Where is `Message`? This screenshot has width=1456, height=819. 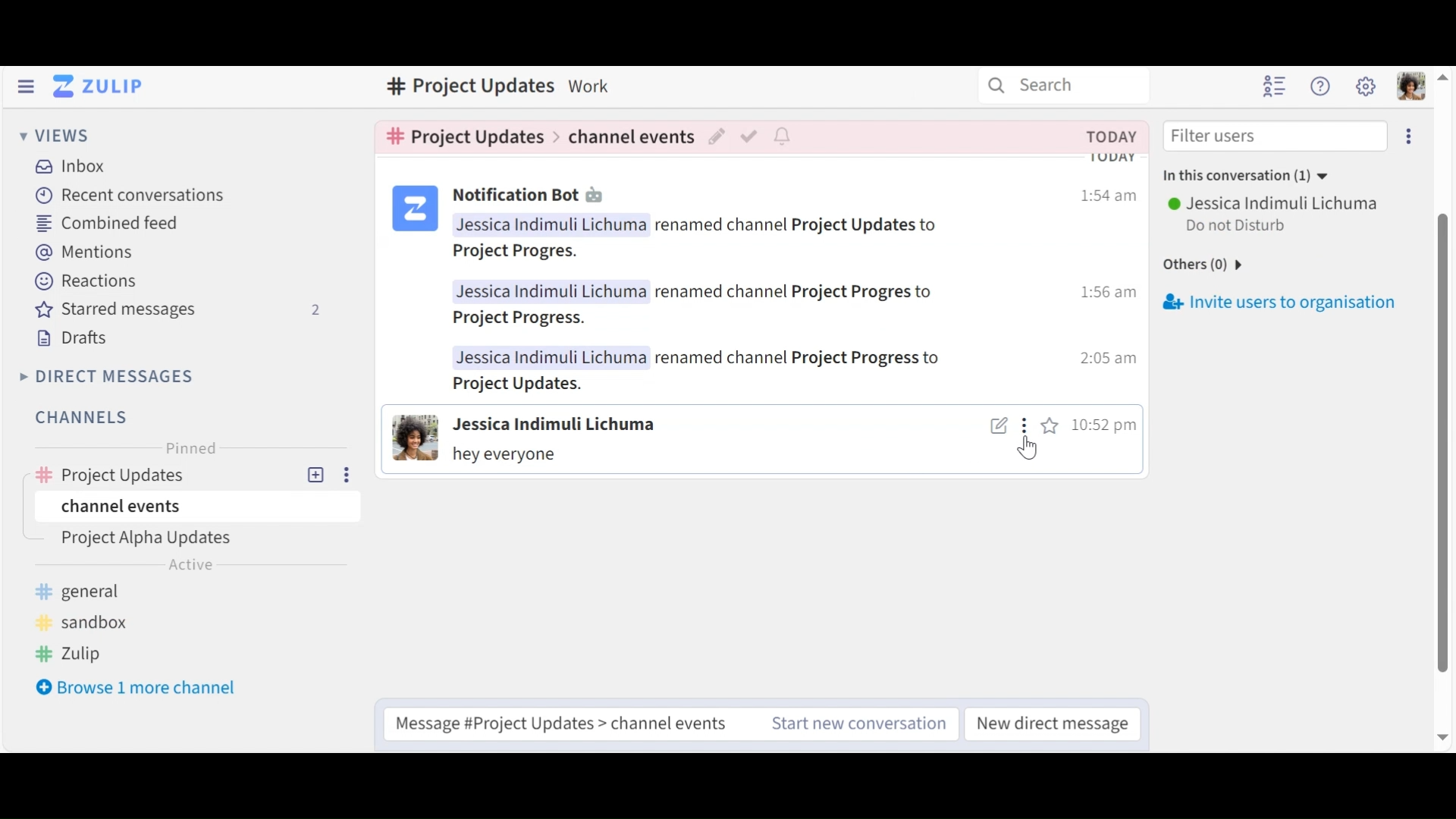
Message is located at coordinates (504, 457).